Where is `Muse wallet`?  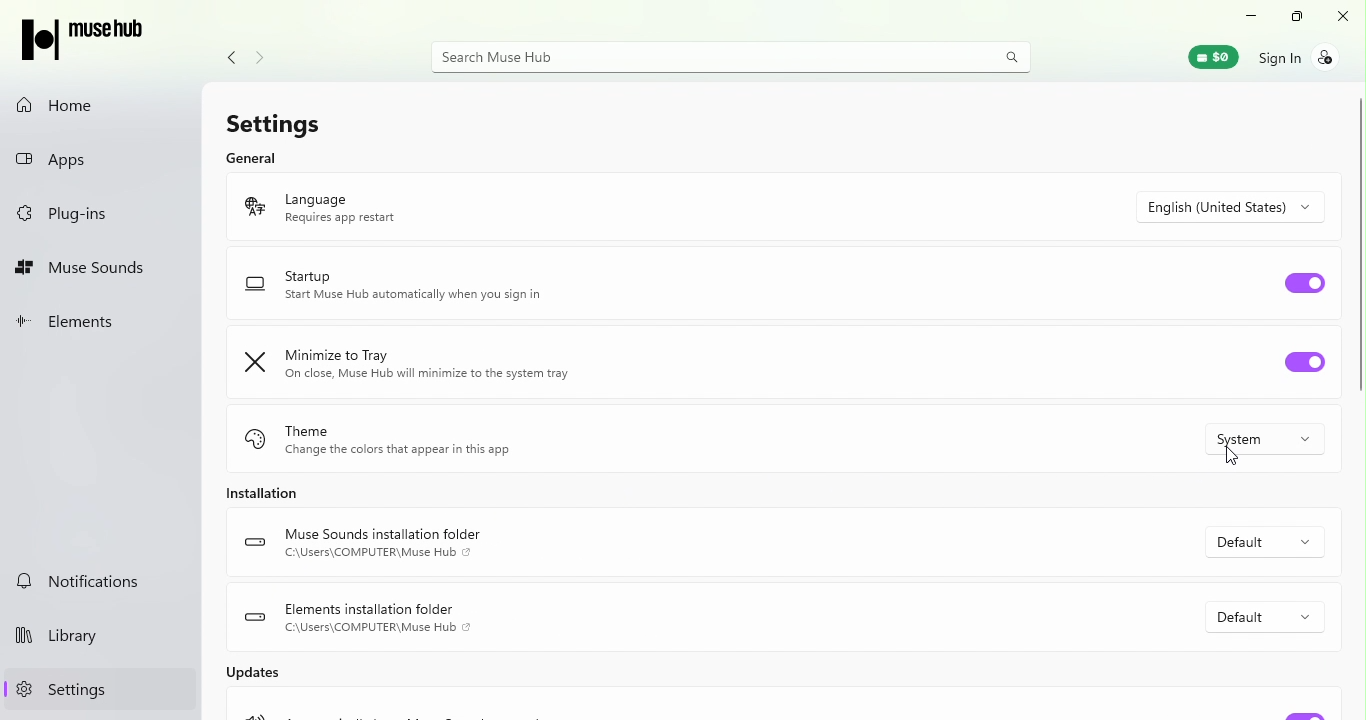
Muse wallet is located at coordinates (1215, 56).